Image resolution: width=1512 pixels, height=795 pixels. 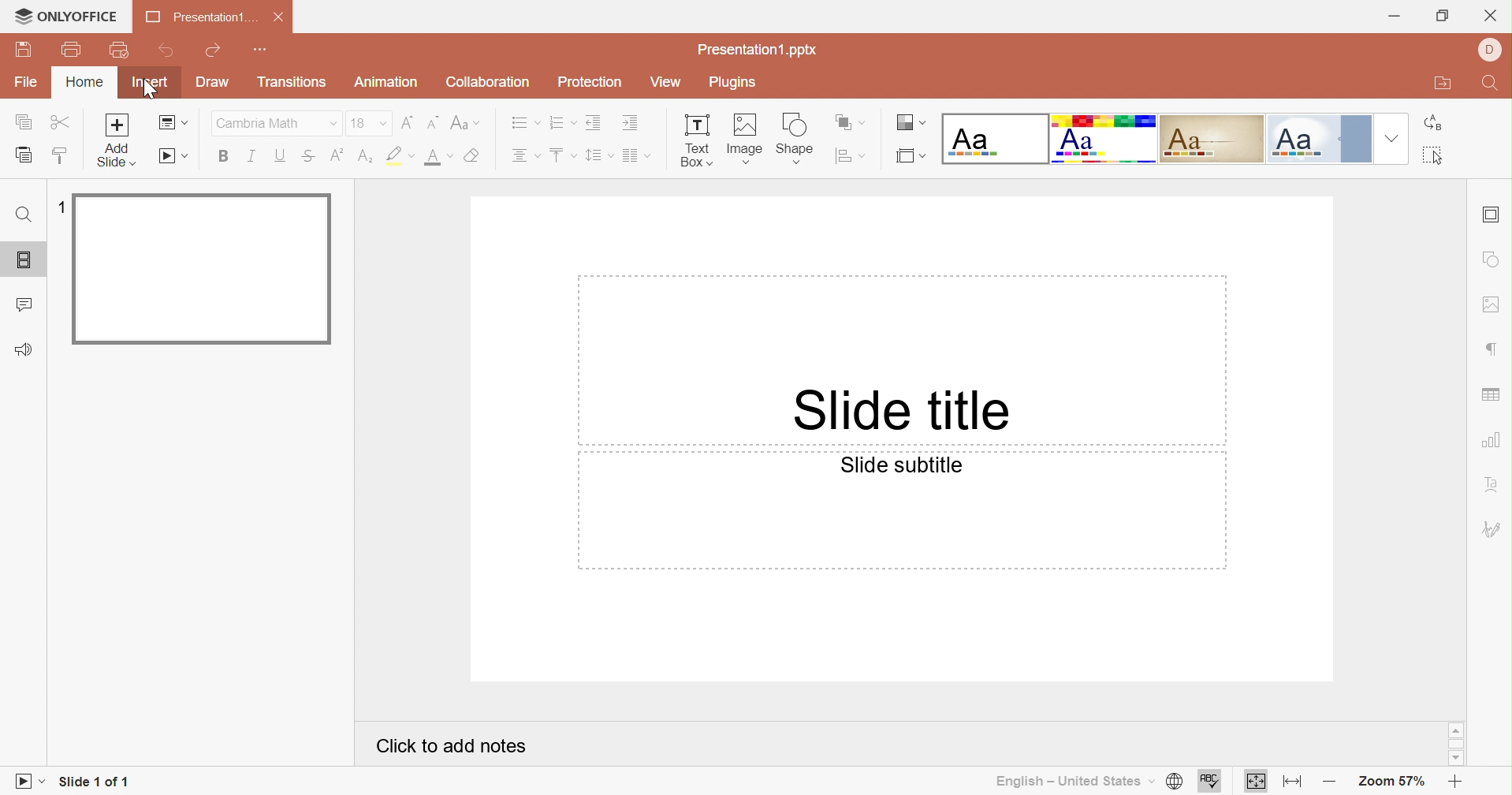 I want to click on Italic, so click(x=252, y=155).